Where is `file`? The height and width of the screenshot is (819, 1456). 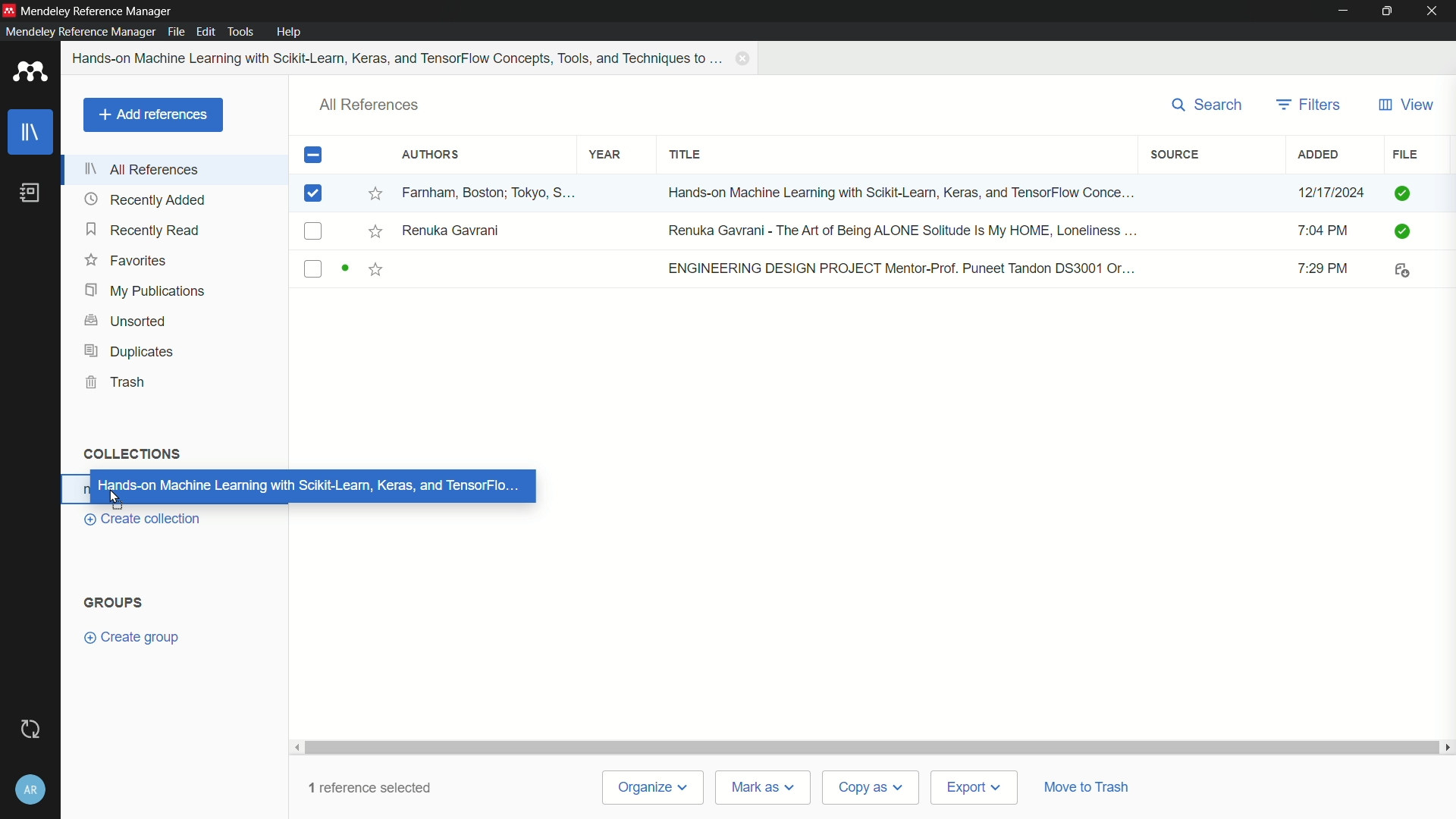
file is located at coordinates (1404, 155).